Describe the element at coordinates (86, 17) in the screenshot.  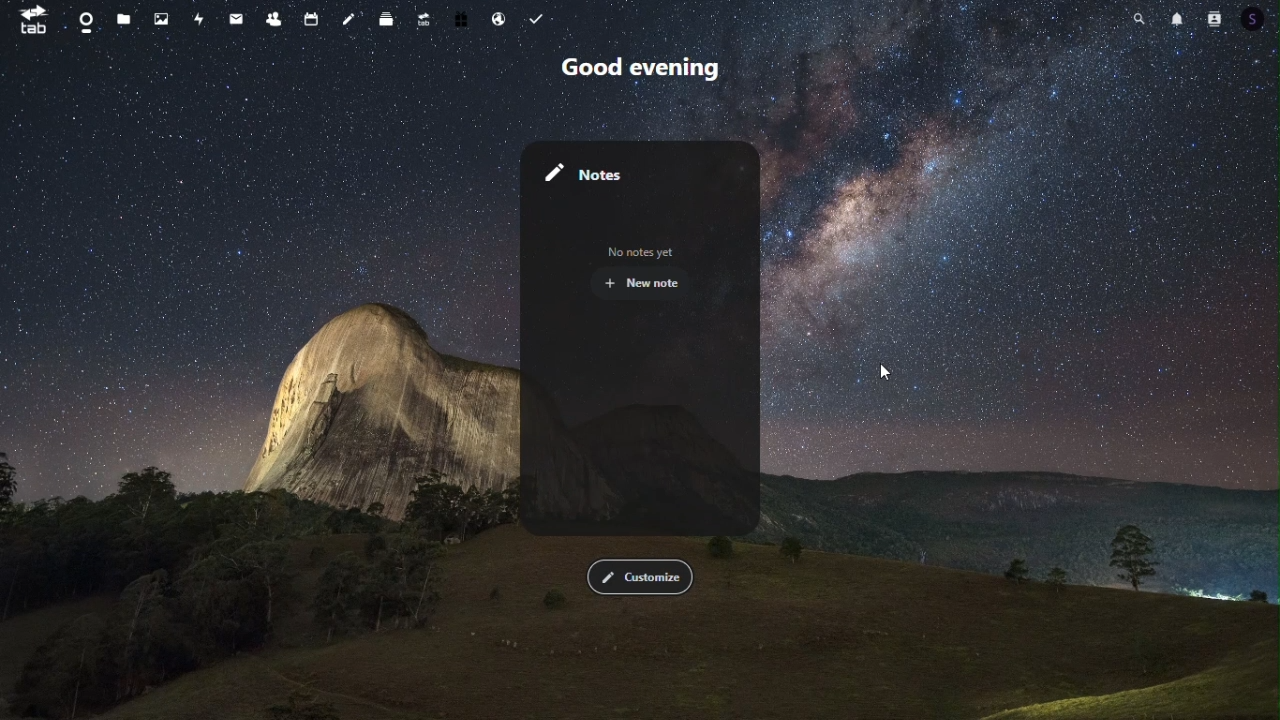
I see `Dashboard` at that location.